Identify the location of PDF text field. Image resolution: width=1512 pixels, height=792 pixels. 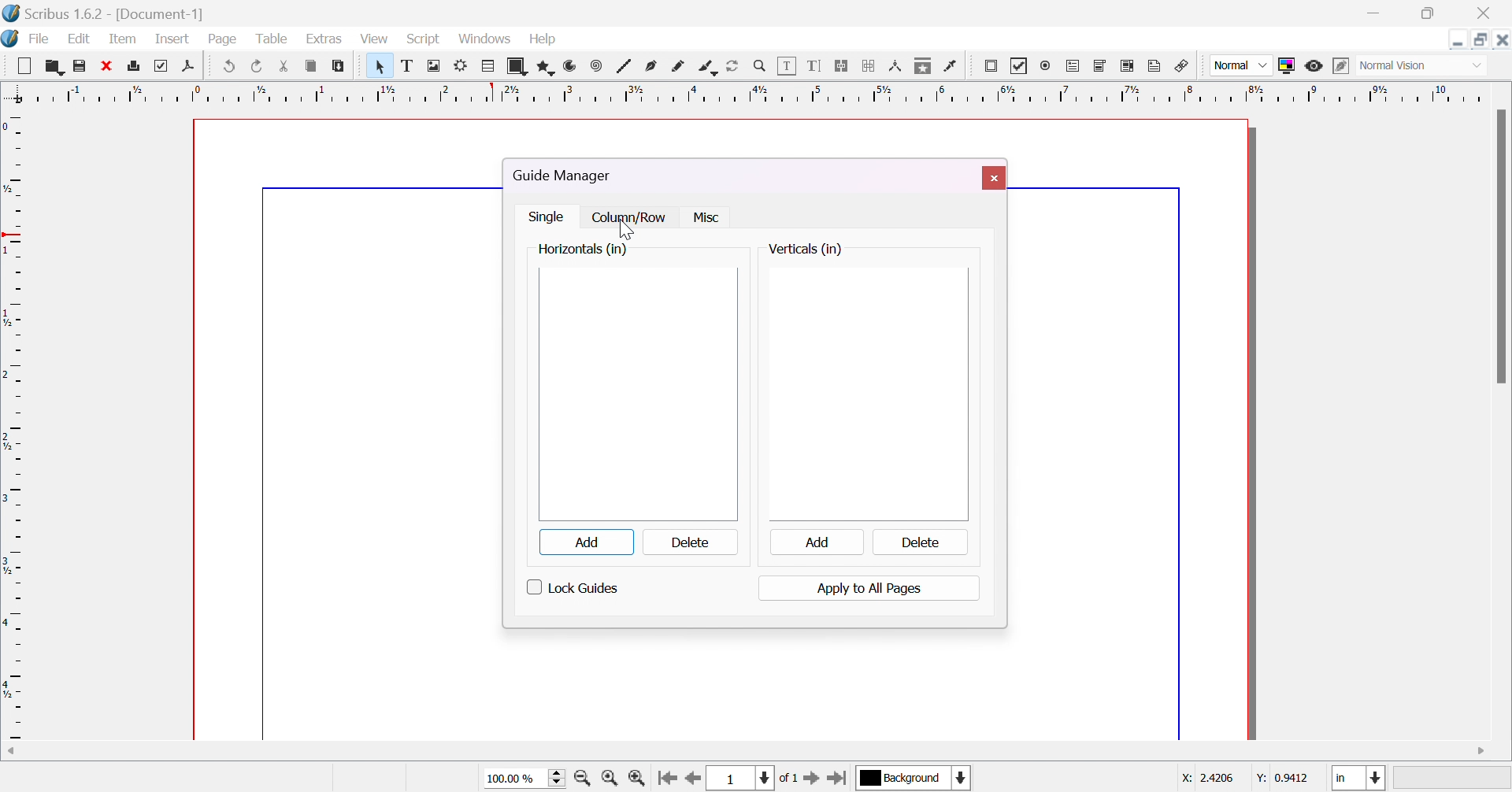
(1075, 67).